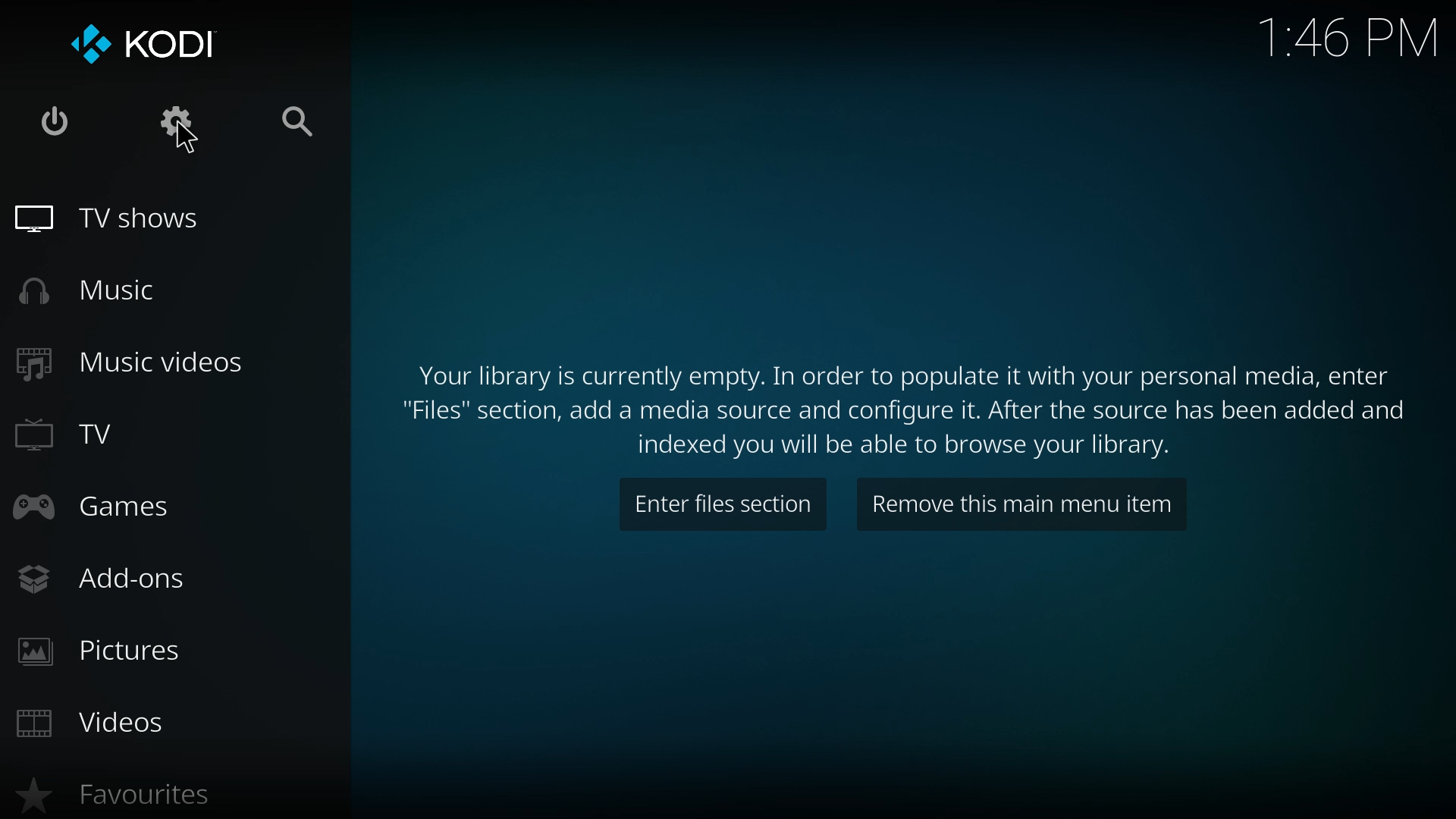 The image size is (1456, 819). I want to click on info, so click(902, 402).